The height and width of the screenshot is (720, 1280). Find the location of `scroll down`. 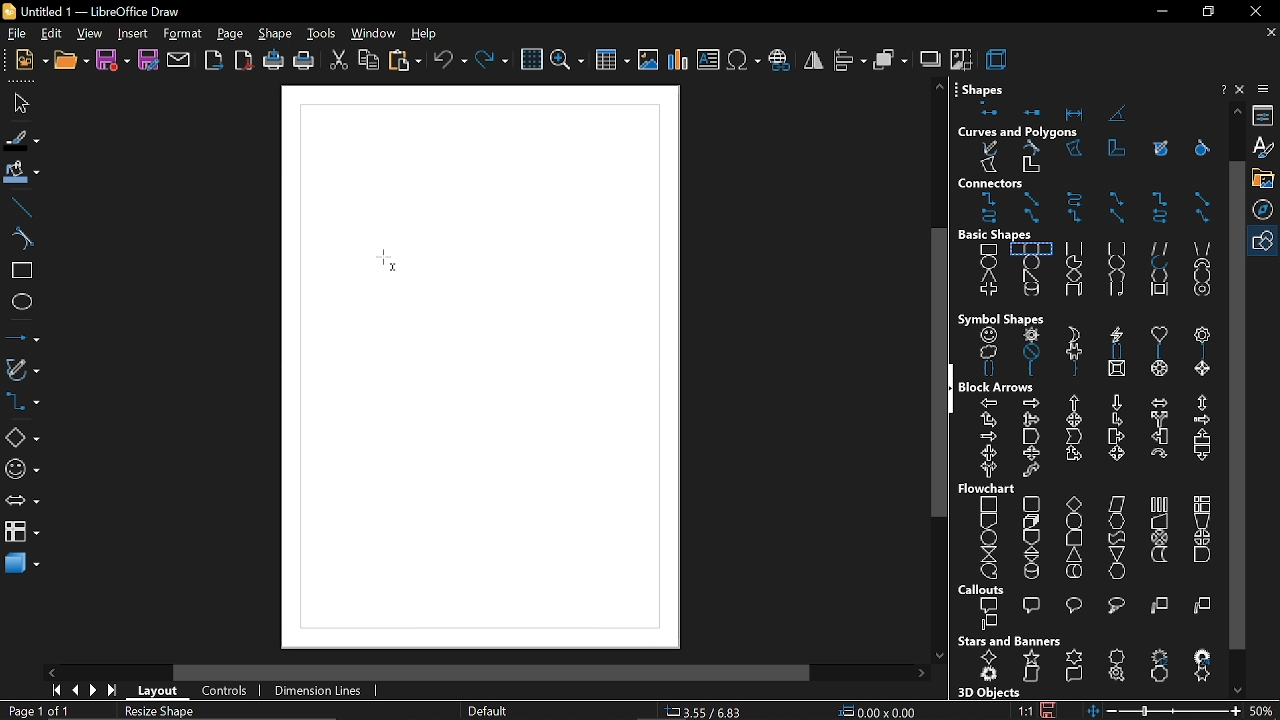

scroll down is located at coordinates (939, 651).